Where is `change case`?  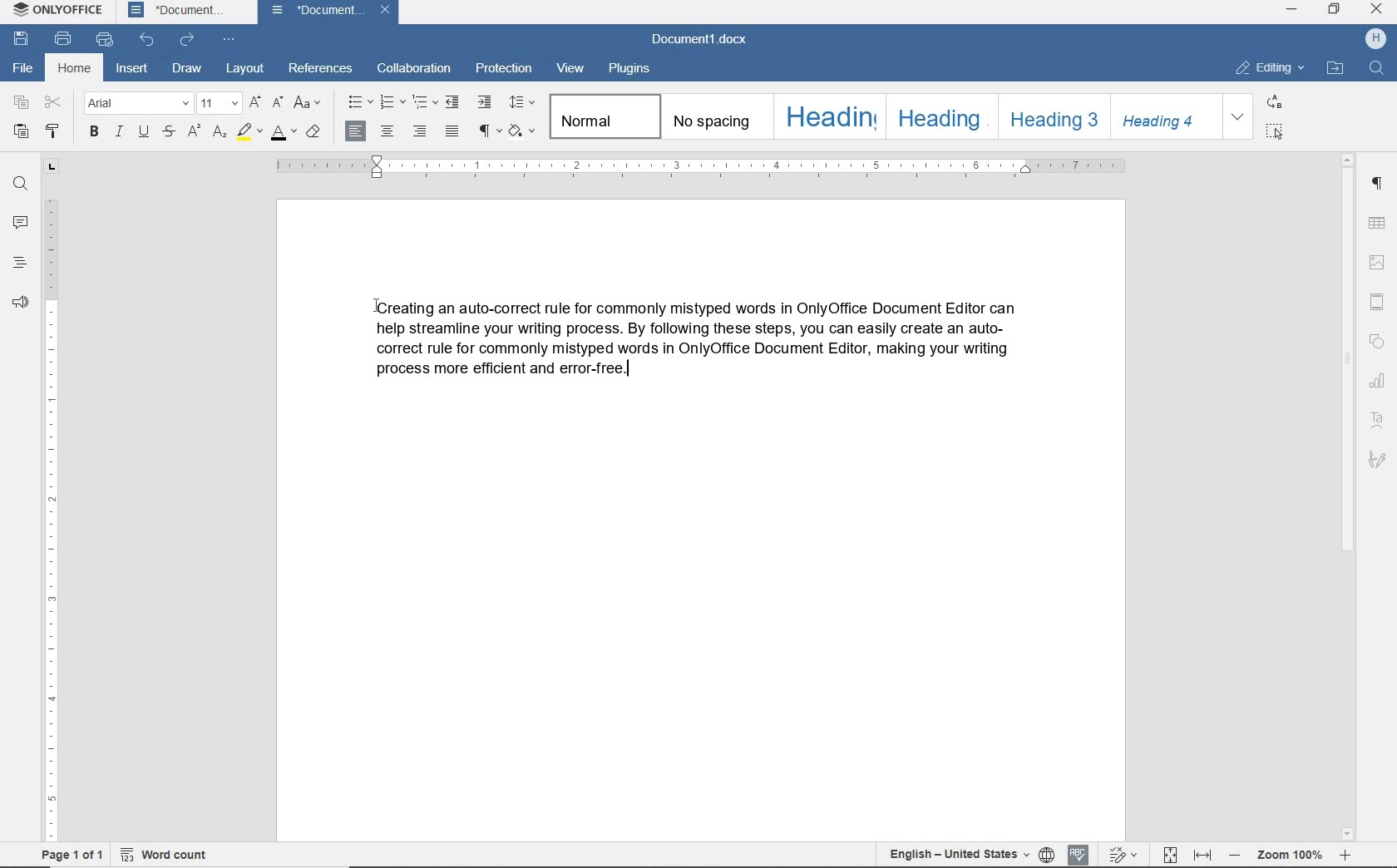
change case is located at coordinates (306, 104).